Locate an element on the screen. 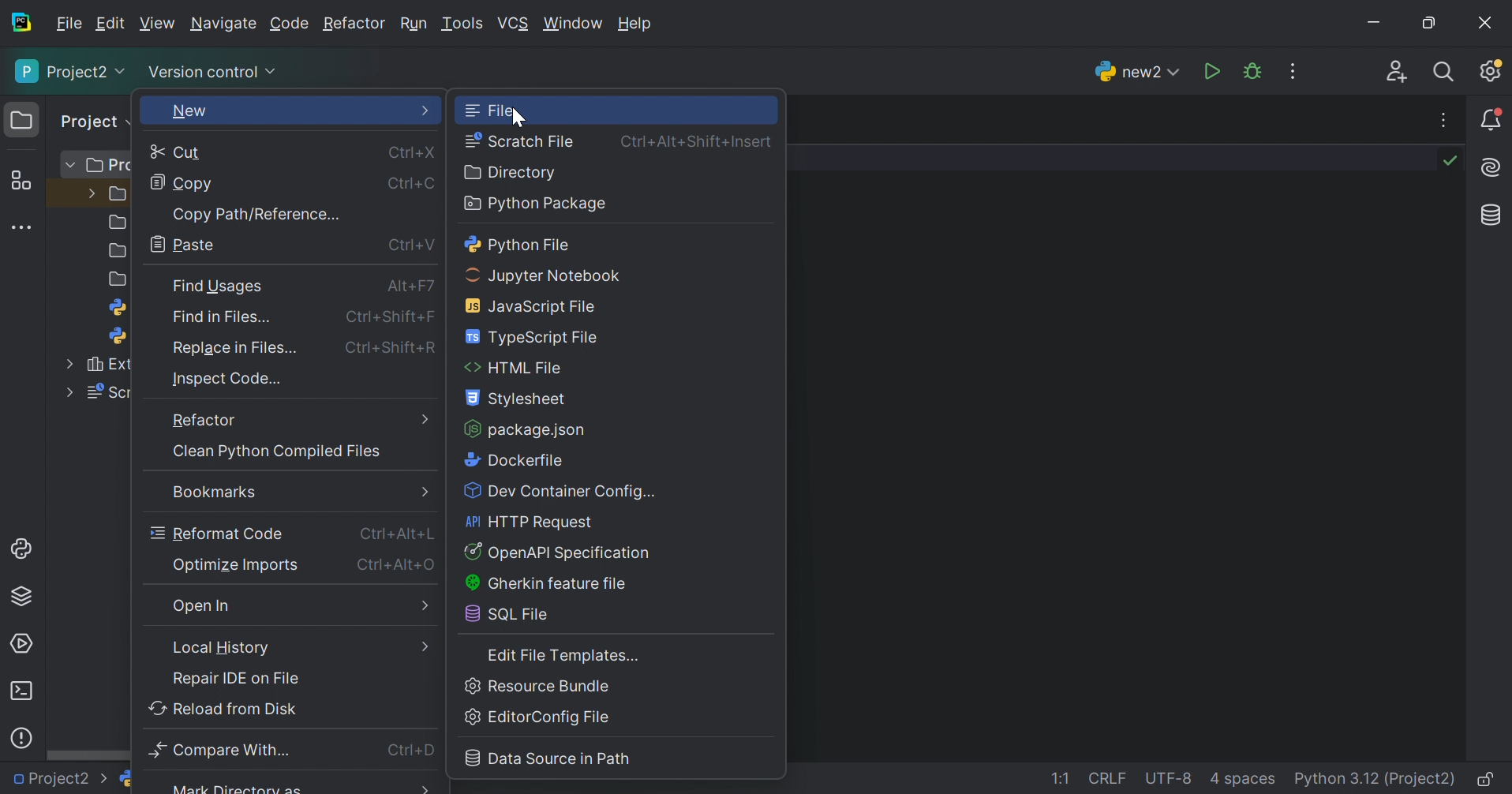 Image resolution: width=1512 pixels, height=794 pixels. Ctrl+D is located at coordinates (414, 751).